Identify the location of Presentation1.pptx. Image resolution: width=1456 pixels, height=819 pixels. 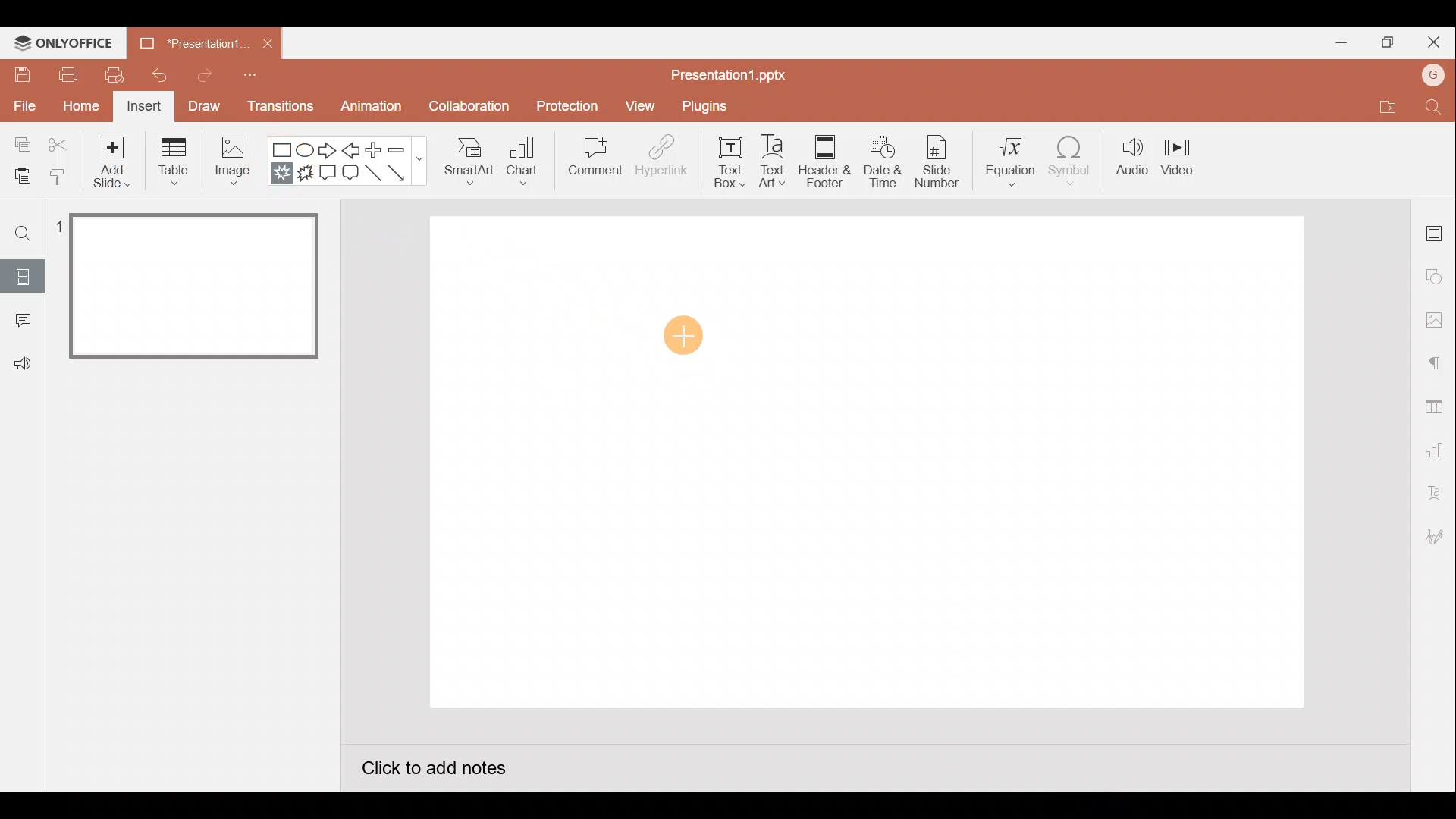
(725, 74).